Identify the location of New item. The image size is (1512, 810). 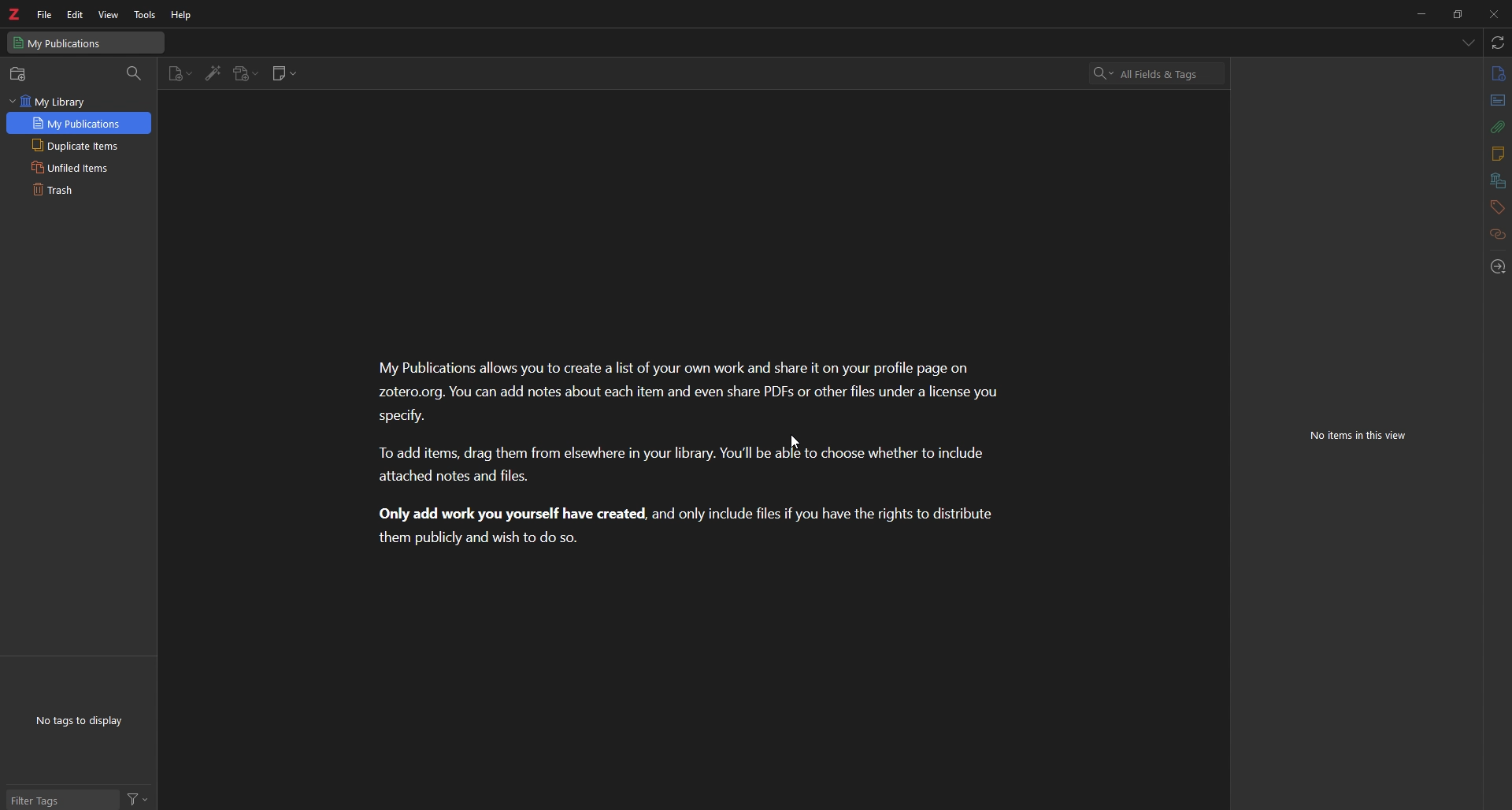
(178, 74).